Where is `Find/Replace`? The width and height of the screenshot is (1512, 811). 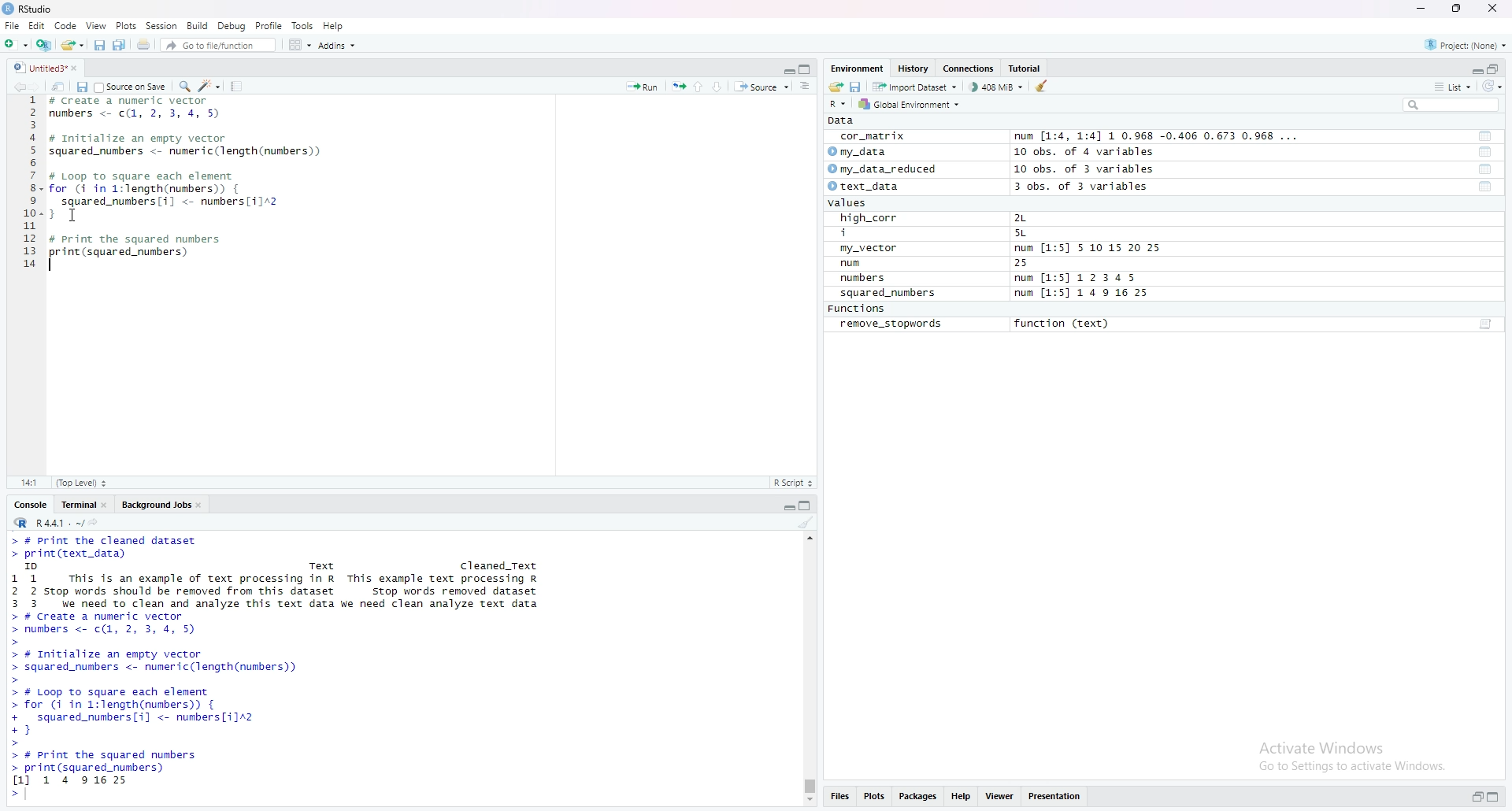 Find/Replace is located at coordinates (184, 85).